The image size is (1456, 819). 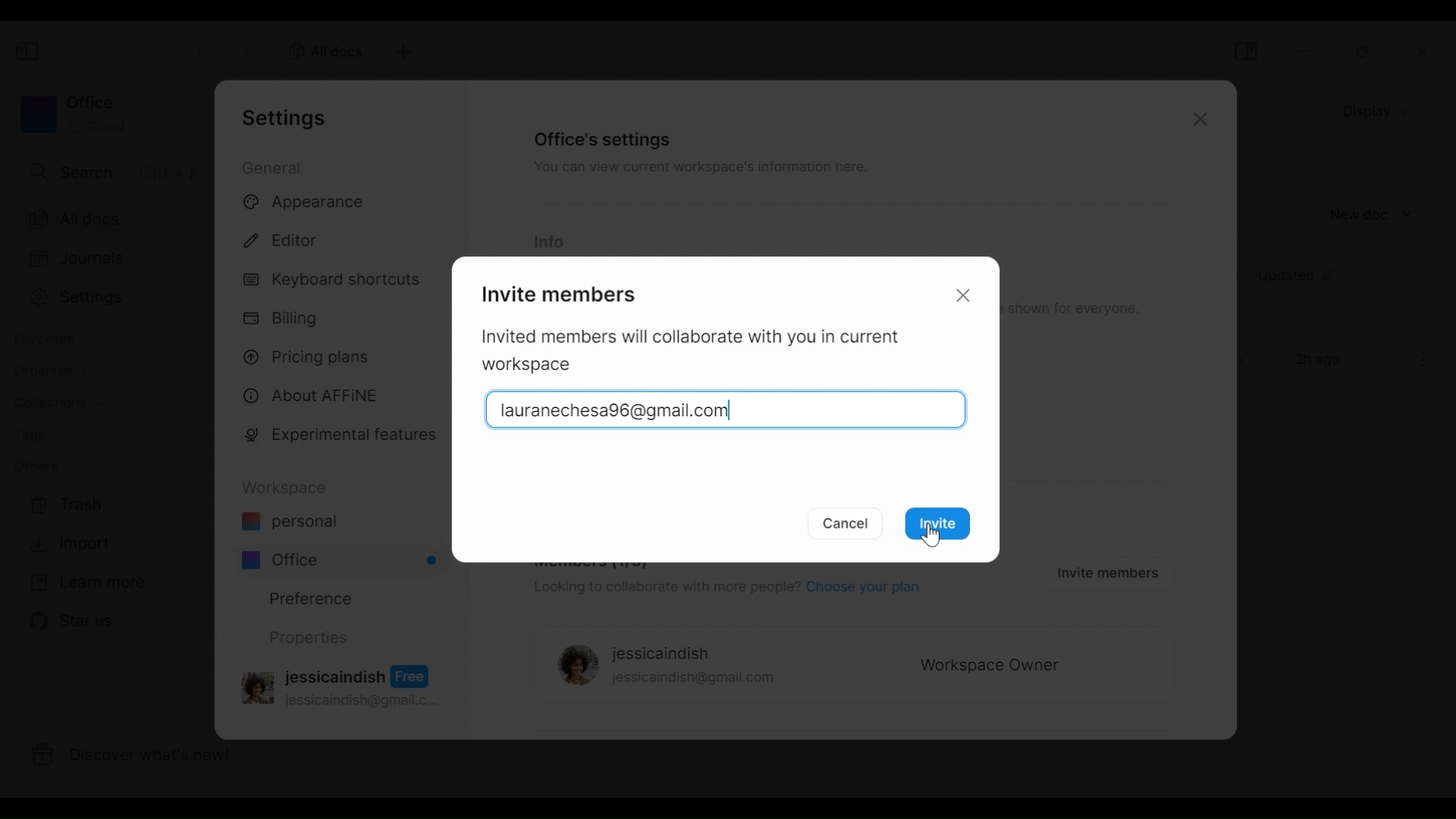 What do you see at coordinates (72, 114) in the screenshot?
I see `Workspace icon` at bounding box center [72, 114].